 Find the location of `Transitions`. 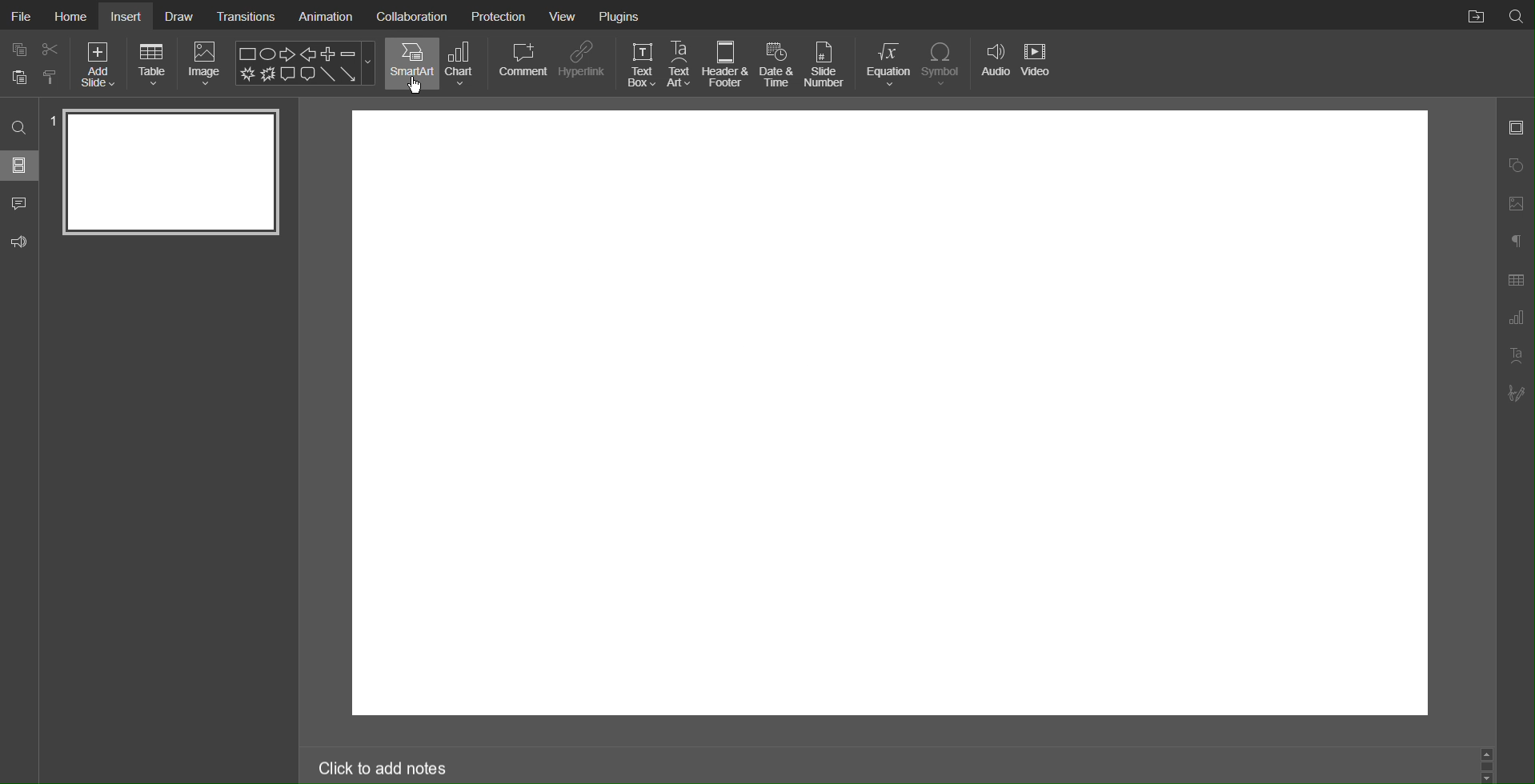

Transitions is located at coordinates (246, 15).